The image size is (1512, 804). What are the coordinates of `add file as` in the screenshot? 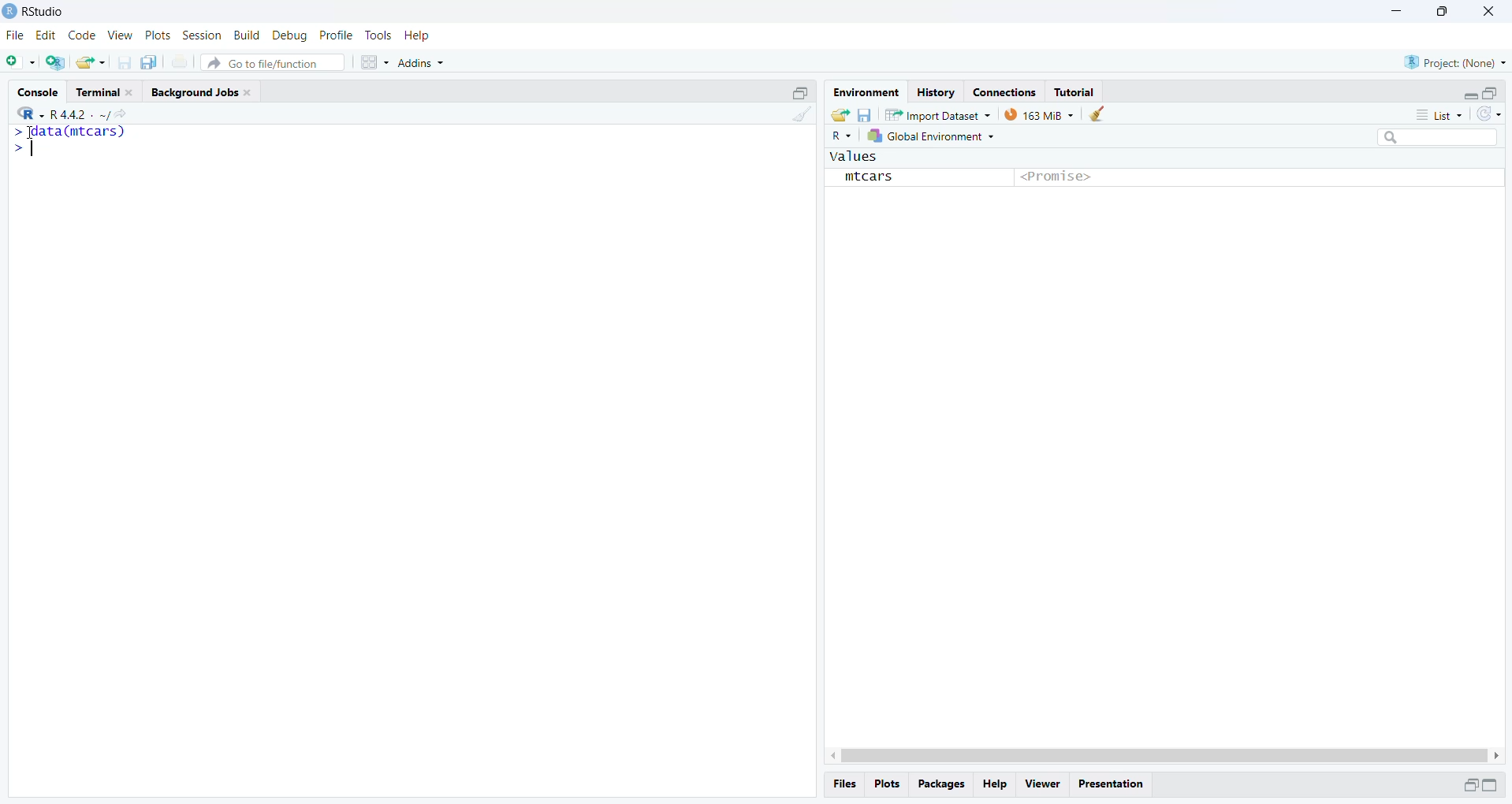 It's located at (21, 61).